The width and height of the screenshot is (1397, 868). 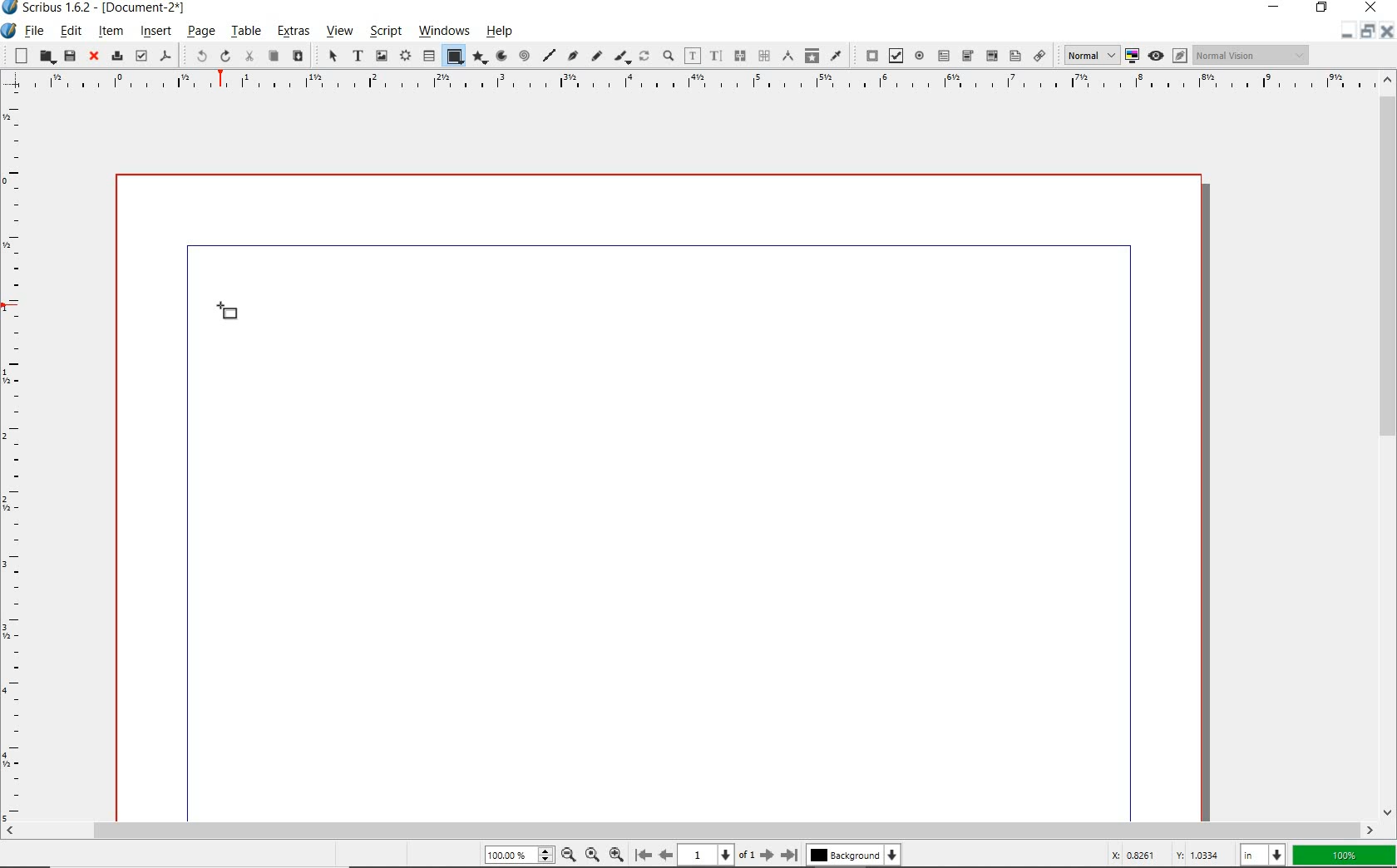 What do you see at coordinates (384, 31) in the screenshot?
I see `script` at bounding box center [384, 31].